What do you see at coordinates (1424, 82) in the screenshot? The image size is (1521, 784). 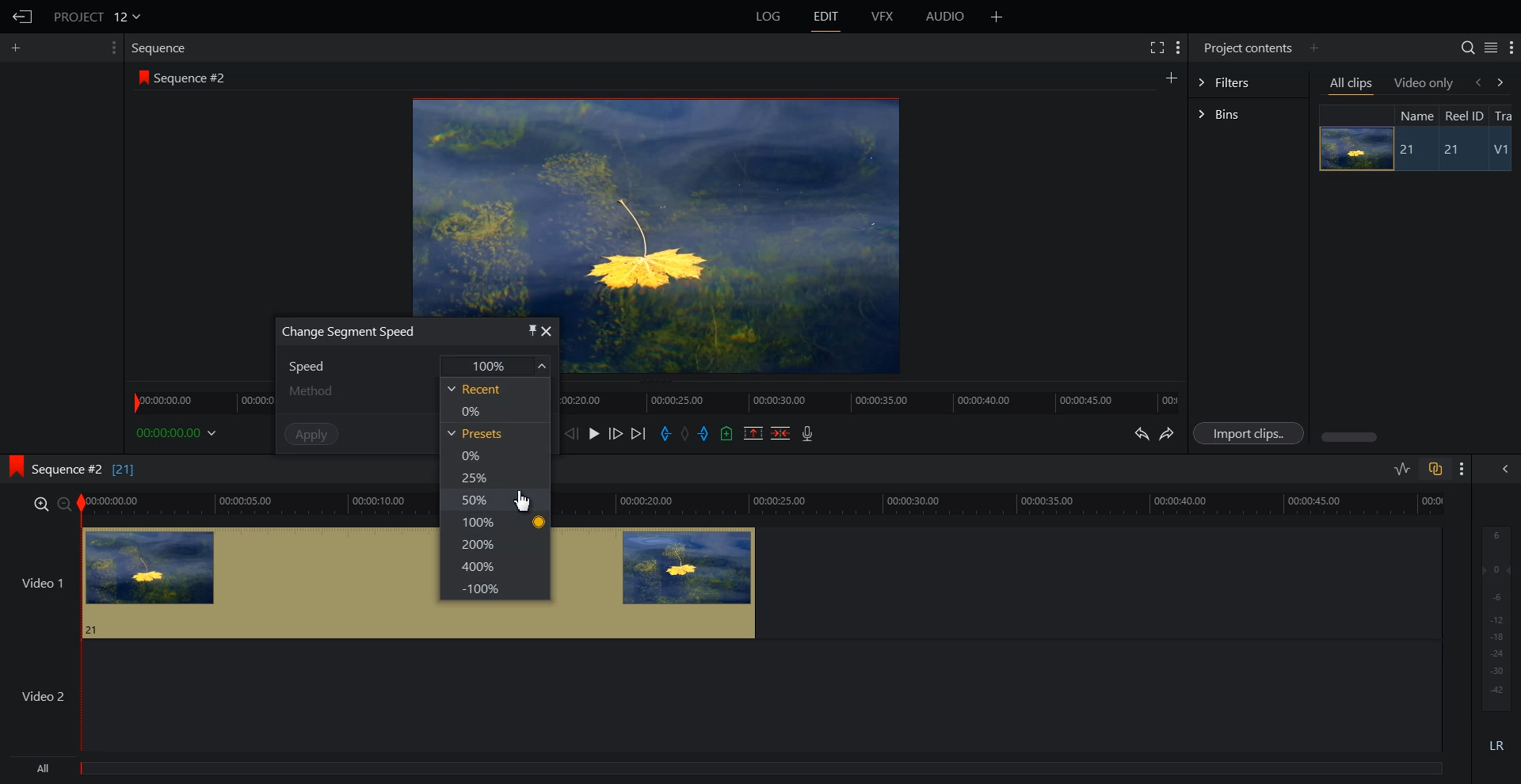 I see `Video only` at bounding box center [1424, 82].